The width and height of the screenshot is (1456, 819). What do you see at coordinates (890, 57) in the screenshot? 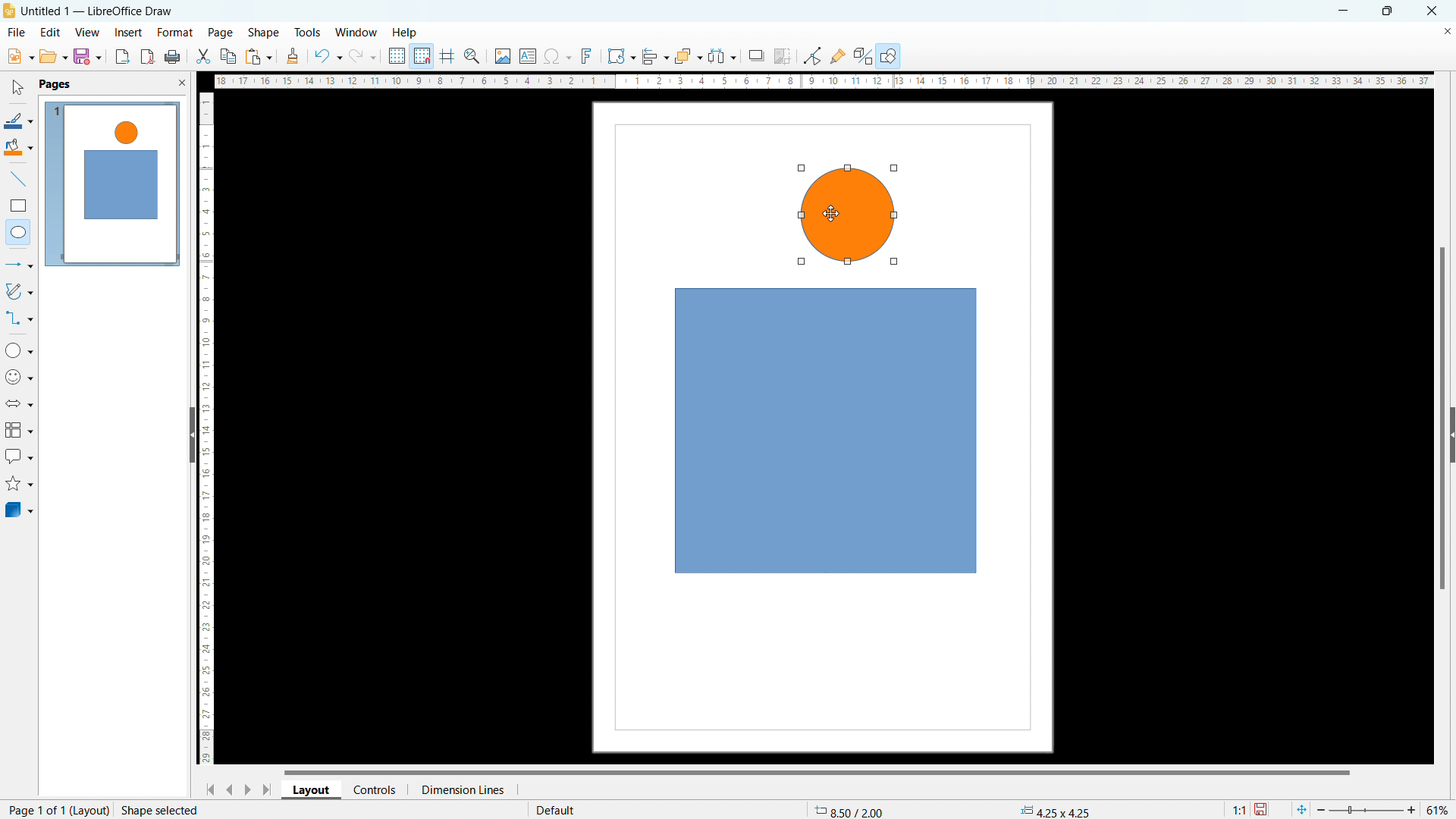
I see `show draw functions` at bounding box center [890, 57].